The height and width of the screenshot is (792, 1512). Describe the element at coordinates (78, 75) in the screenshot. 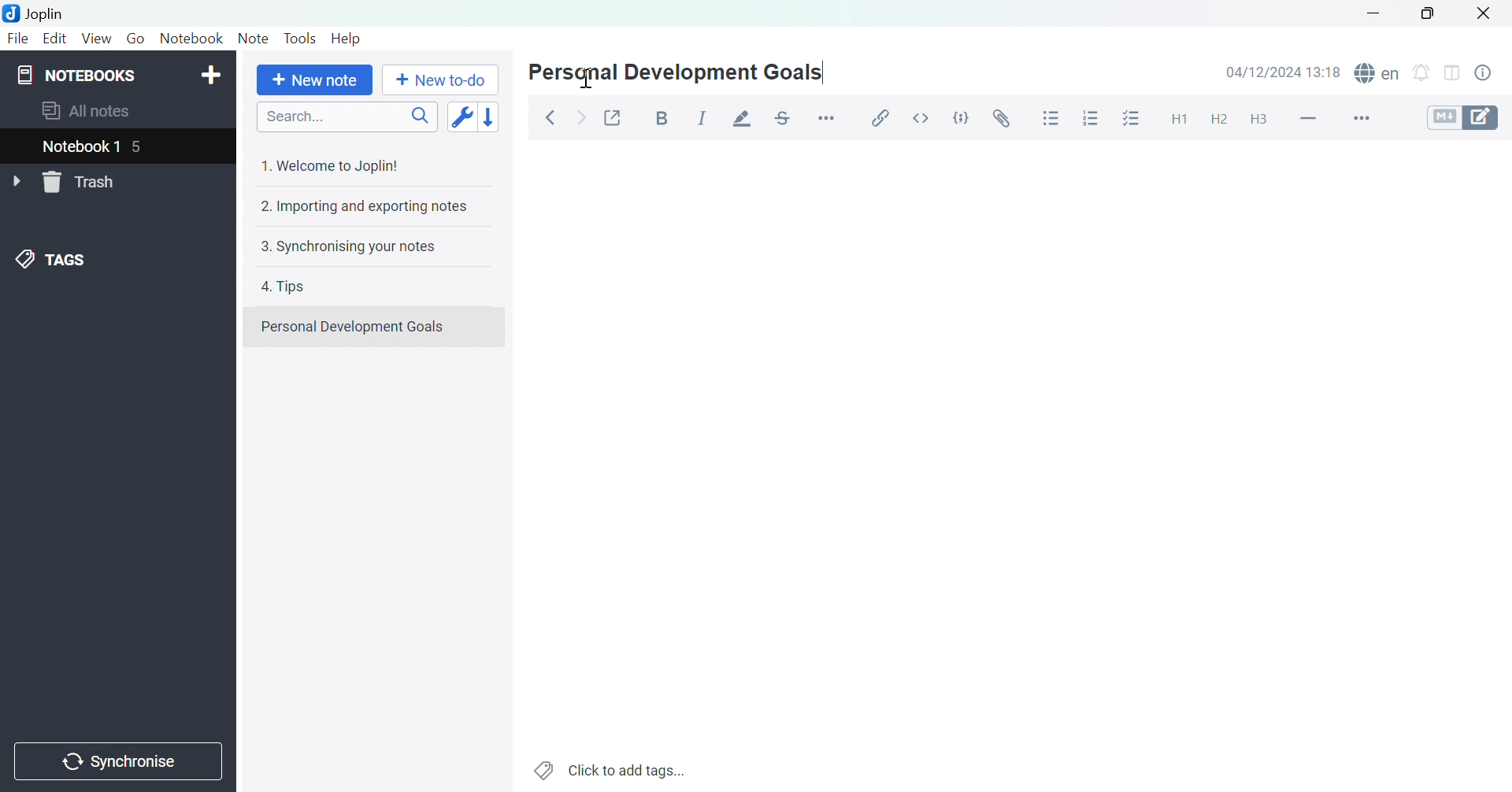

I see `NOTEBOOKS` at that location.